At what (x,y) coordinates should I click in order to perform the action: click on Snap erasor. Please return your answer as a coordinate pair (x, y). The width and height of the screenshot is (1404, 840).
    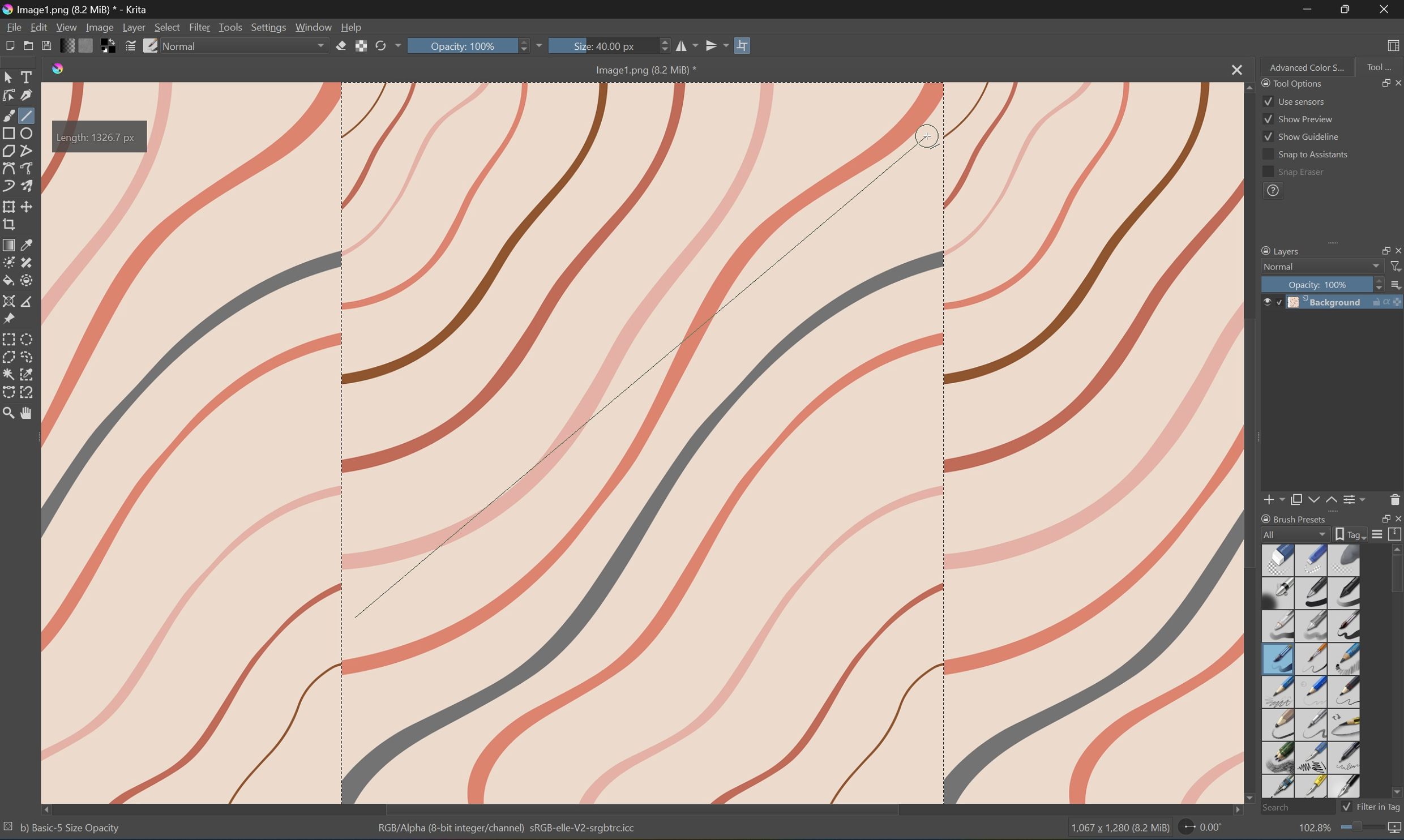
    Looking at the image, I should click on (1294, 173).